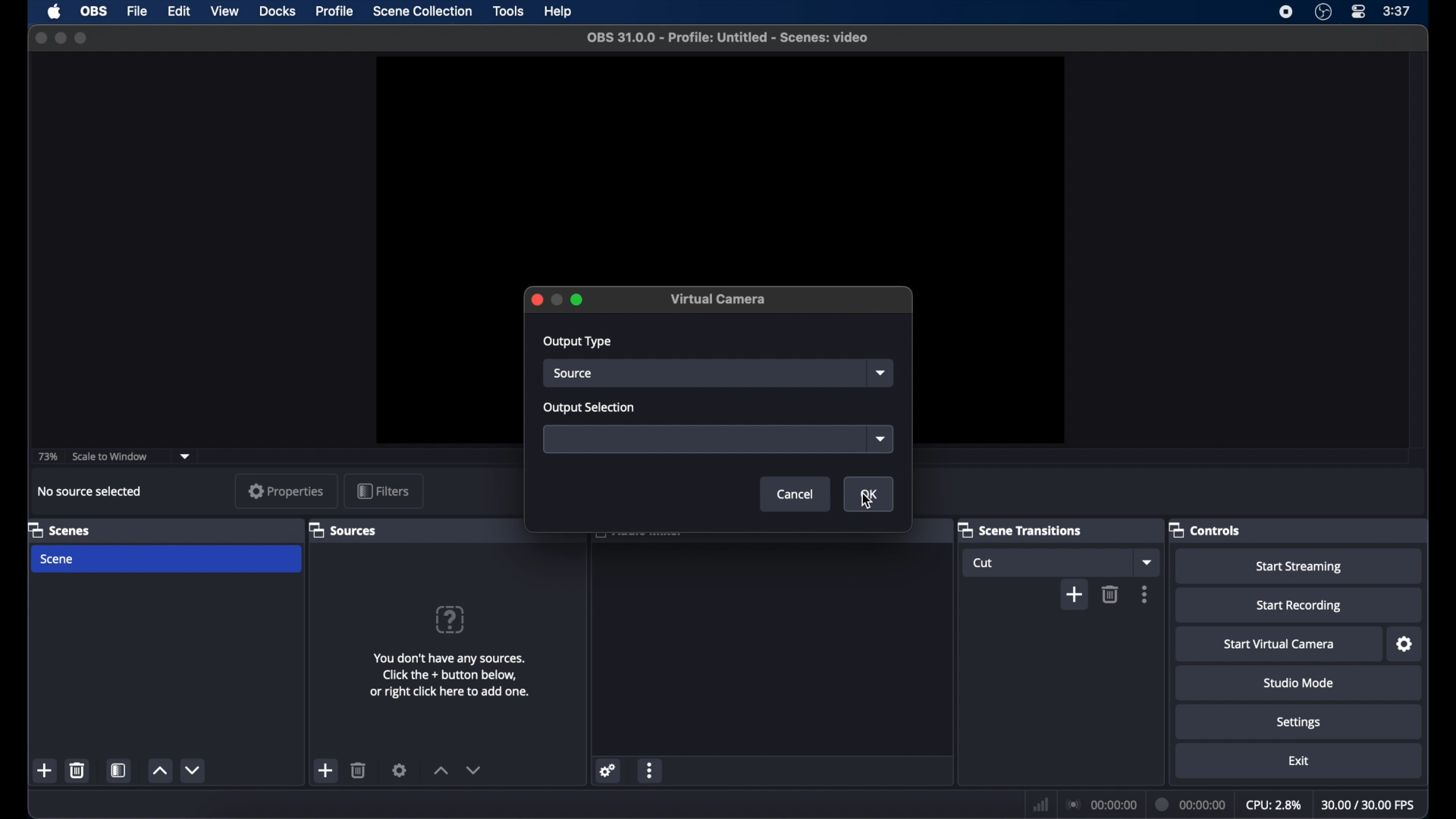  I want to click on scene, so click(58, 560).